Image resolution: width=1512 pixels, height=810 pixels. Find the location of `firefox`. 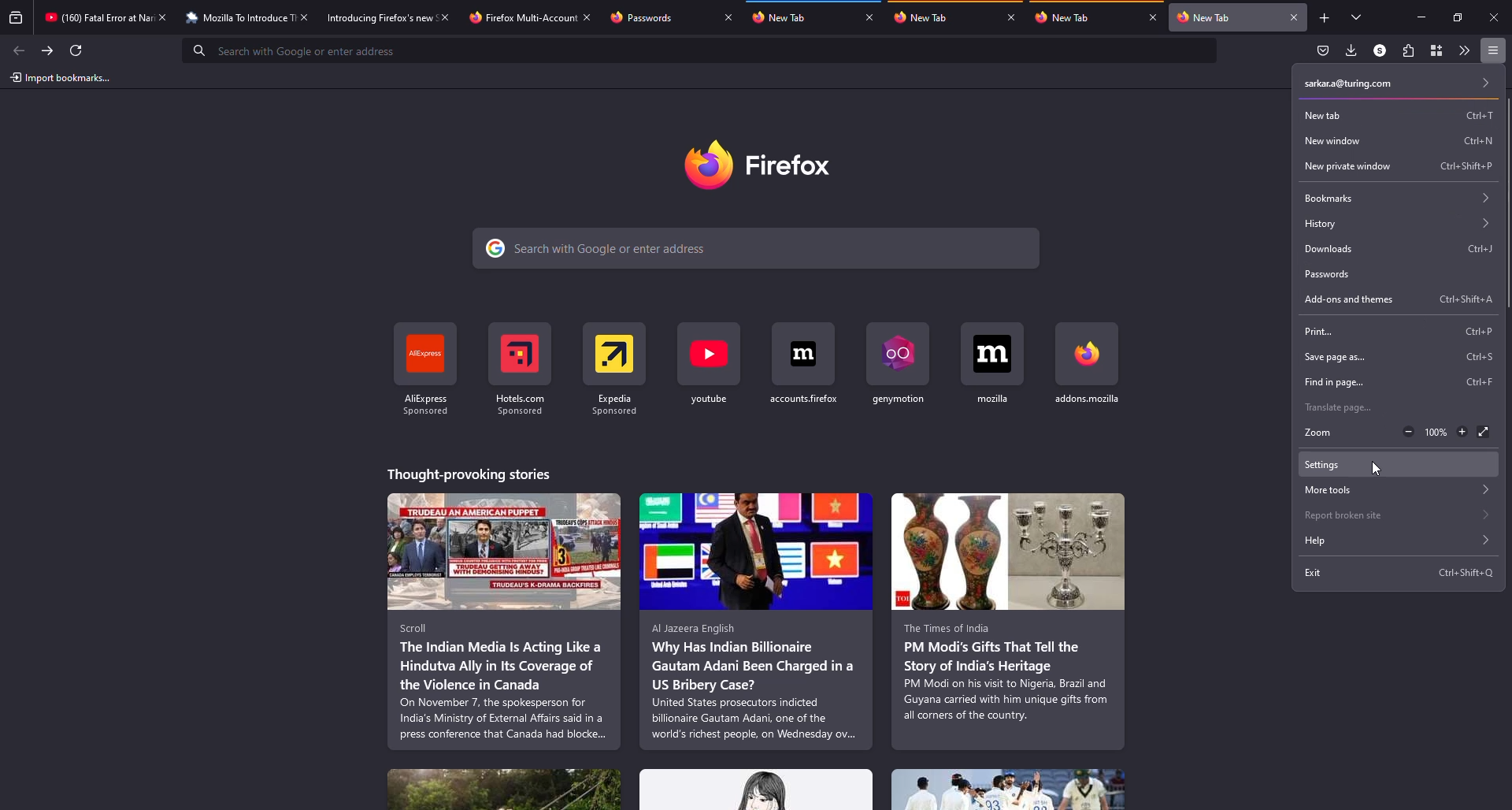

firefox is located at coordinates (758, 165).